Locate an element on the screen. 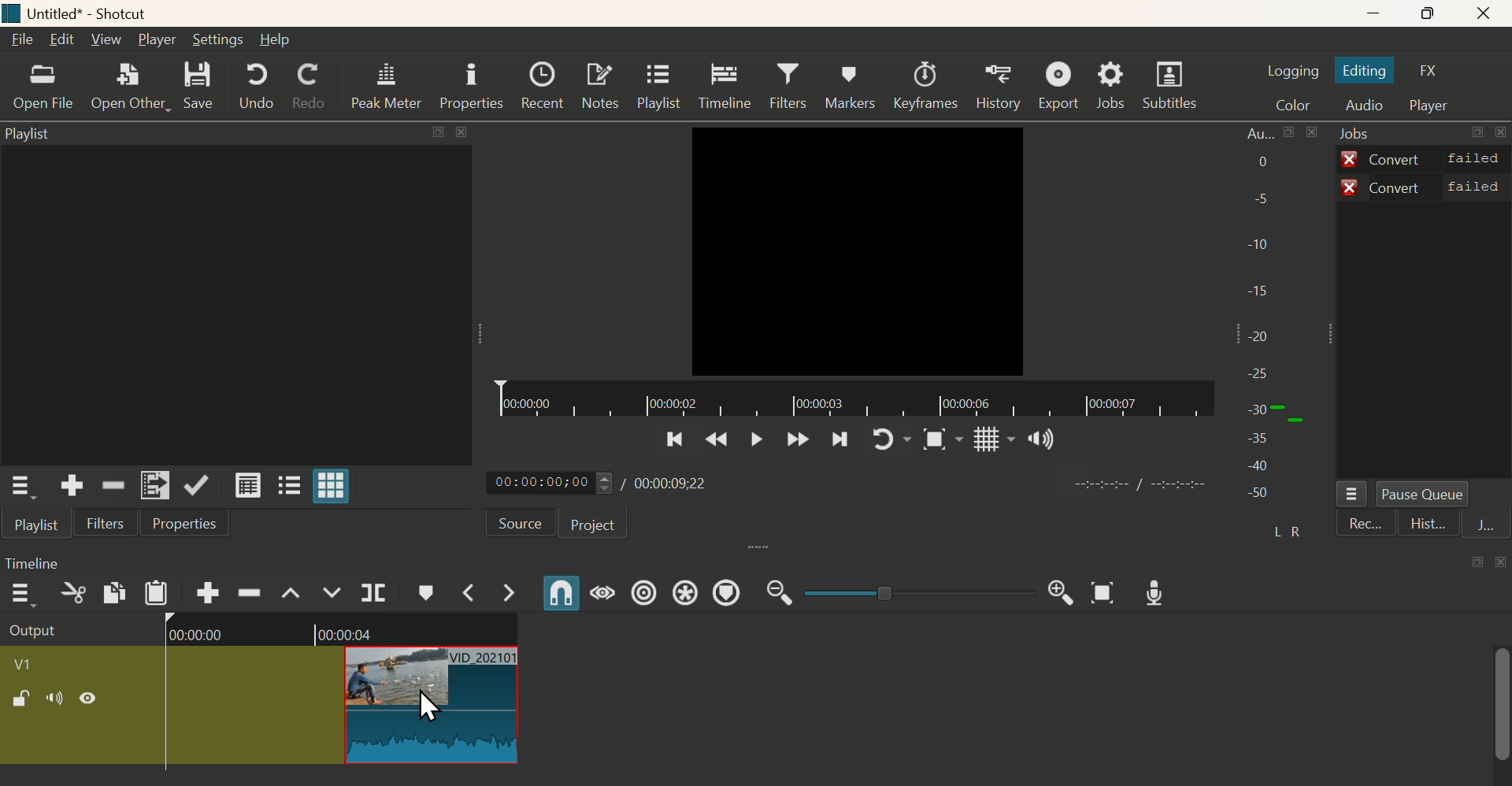 The image size is (1512, 786).  is located at coordinates (684, 595).